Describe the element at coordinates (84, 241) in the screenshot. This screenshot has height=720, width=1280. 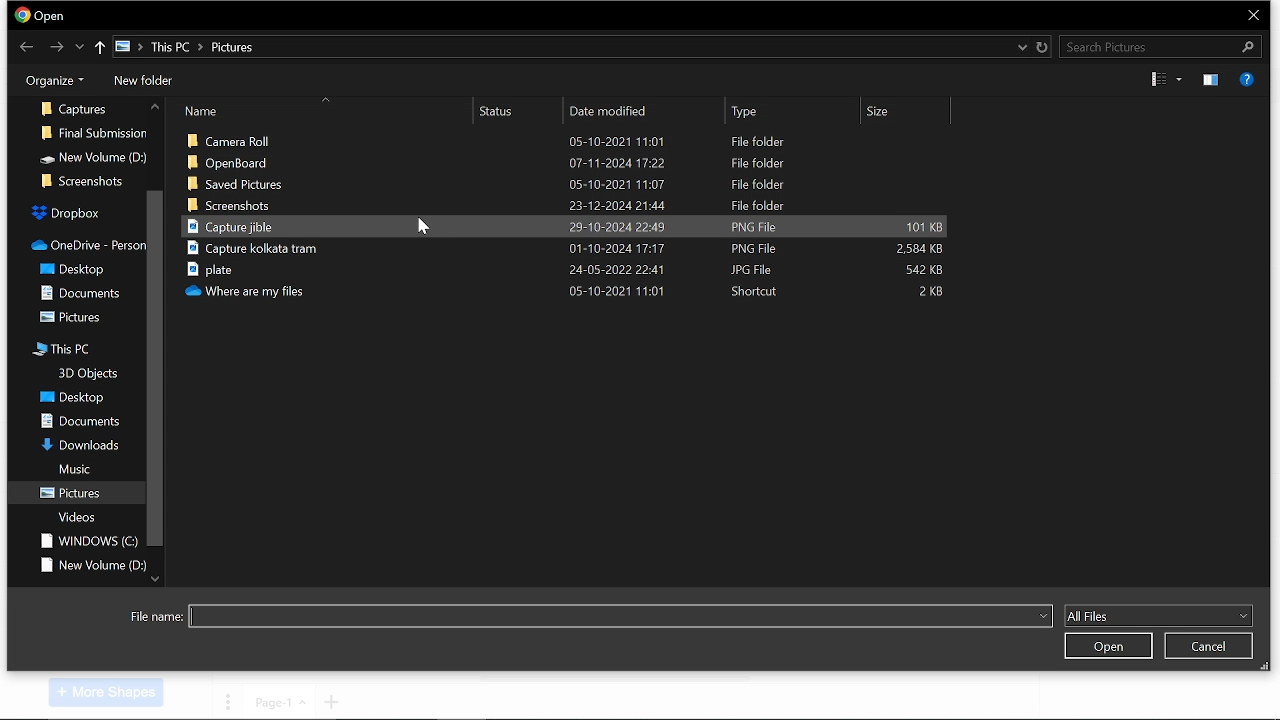
I see `folders` at that location.